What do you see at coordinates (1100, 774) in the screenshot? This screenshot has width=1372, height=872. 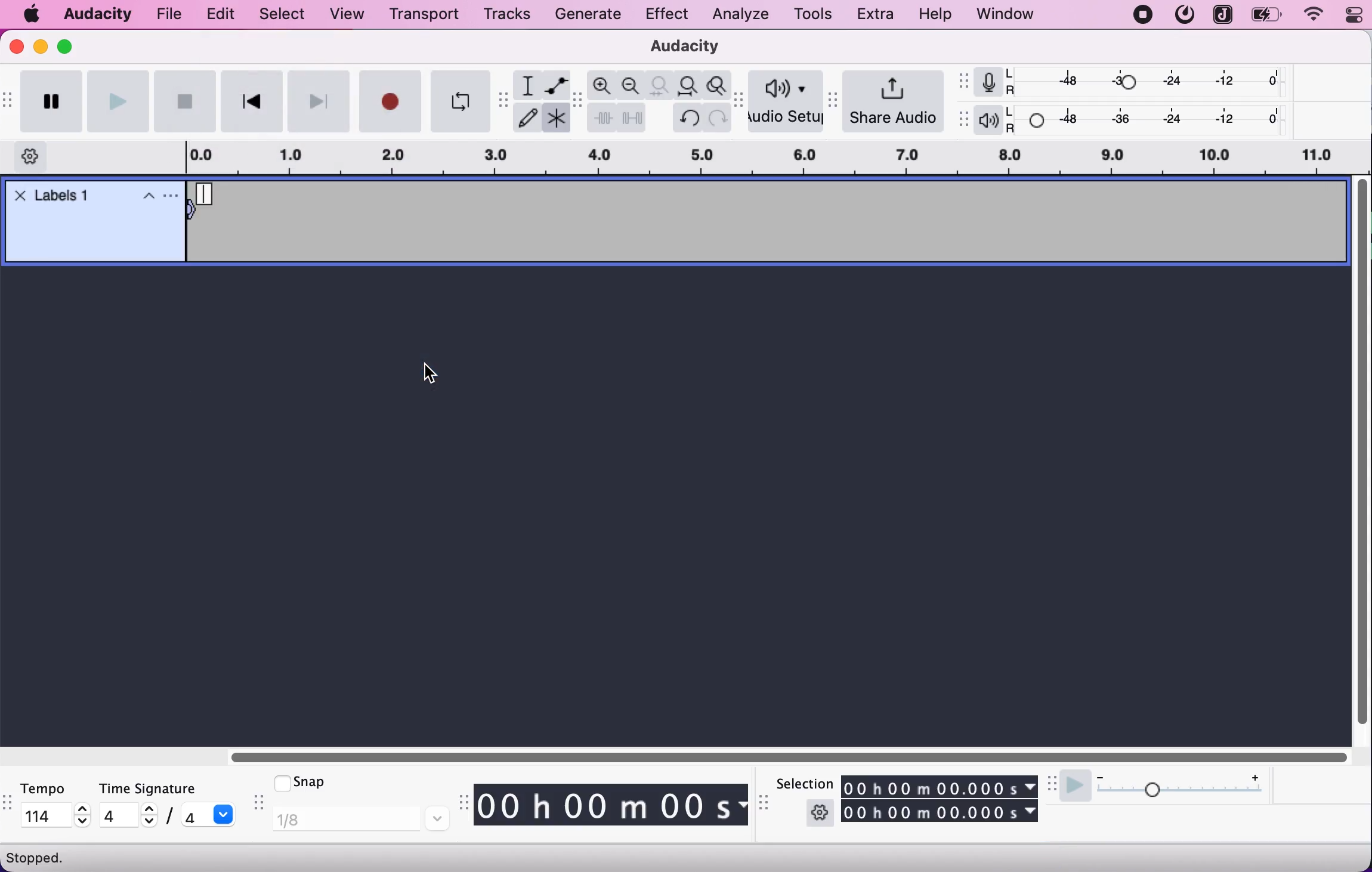 I see `decrease` at bounding box center [1100, 774].